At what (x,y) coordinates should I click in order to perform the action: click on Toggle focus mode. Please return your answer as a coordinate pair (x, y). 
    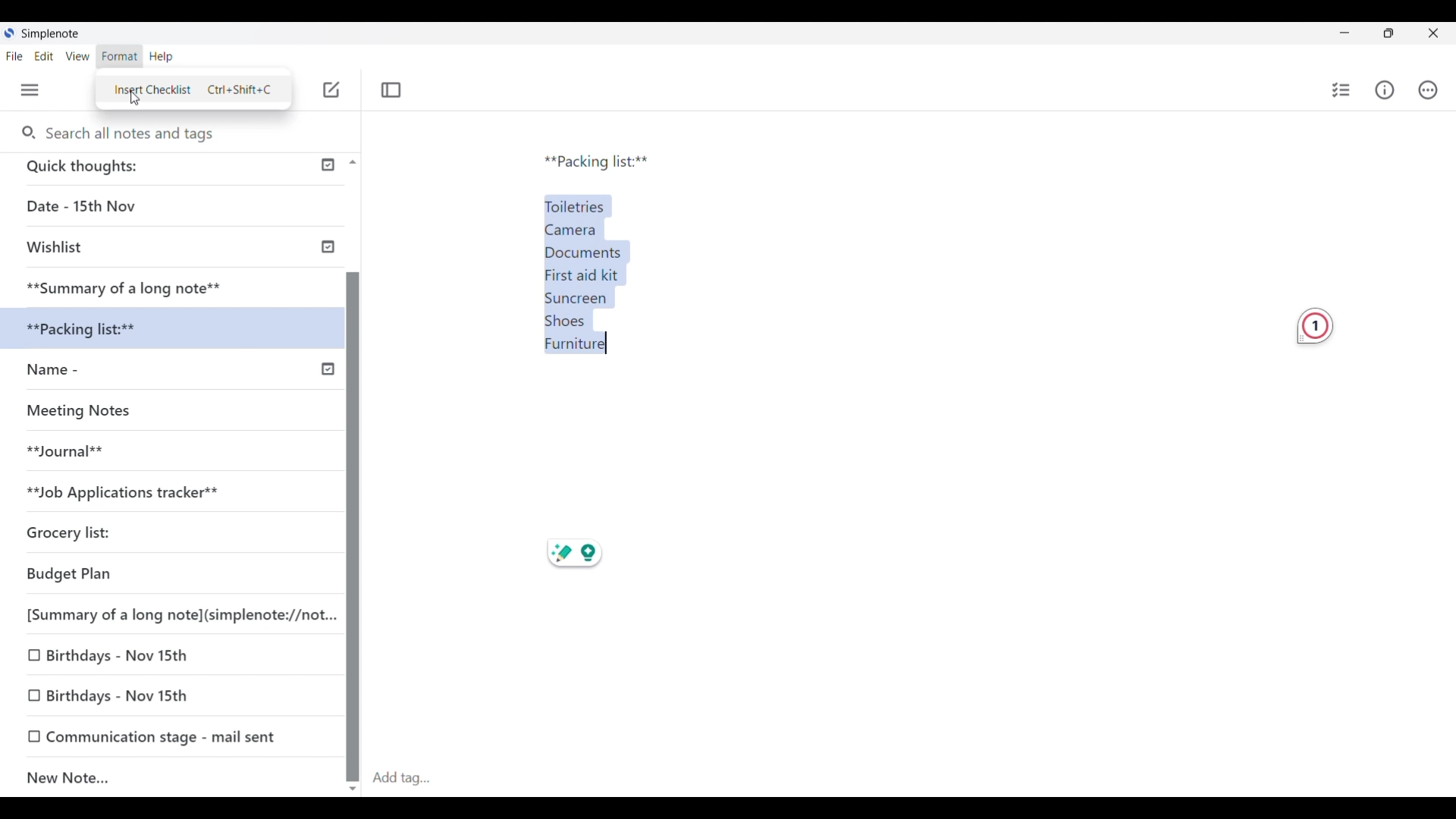
    Looking at the image, I should click on (391, 89).